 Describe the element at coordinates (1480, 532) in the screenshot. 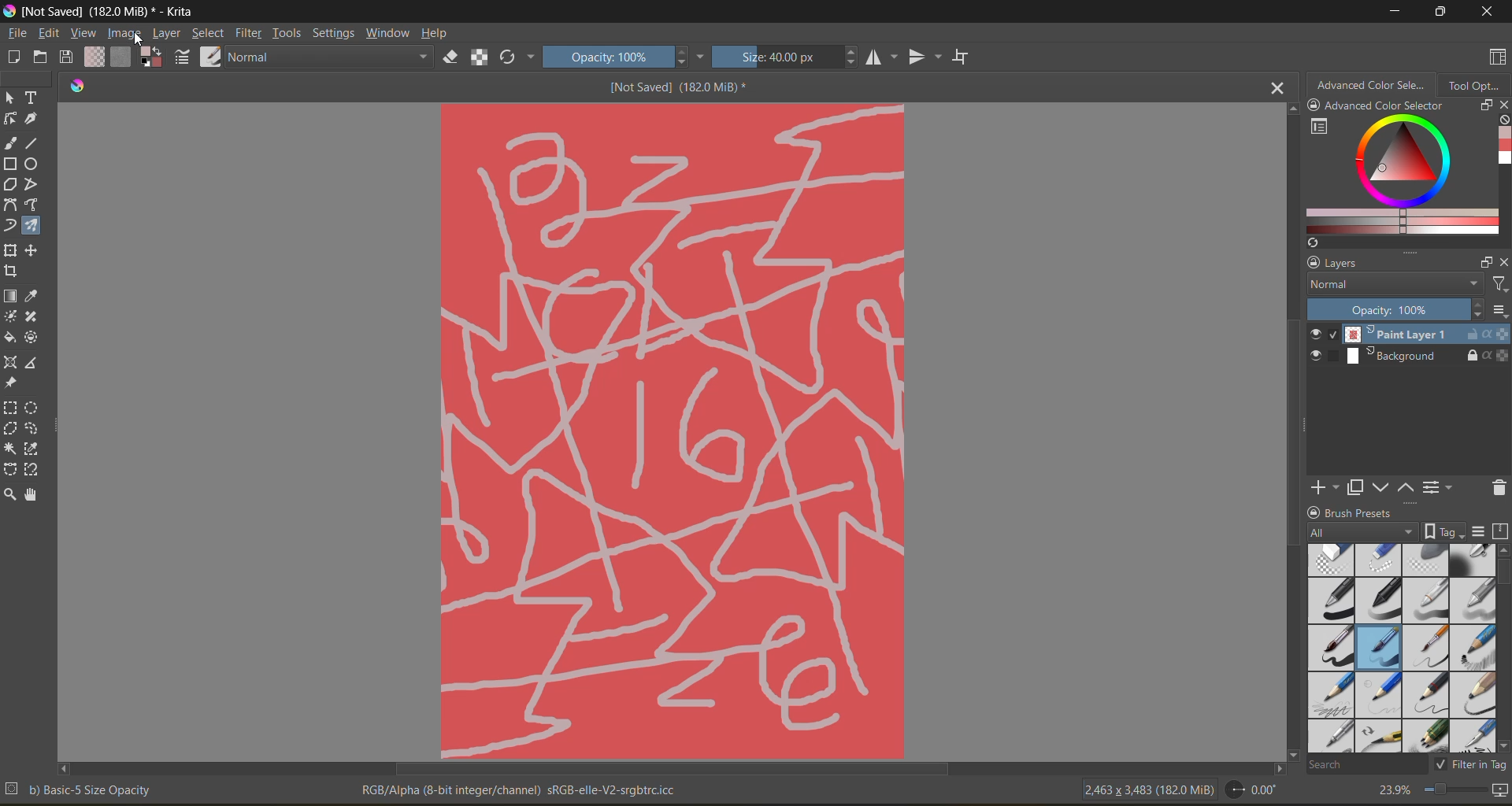

I see `display settings` at that location.